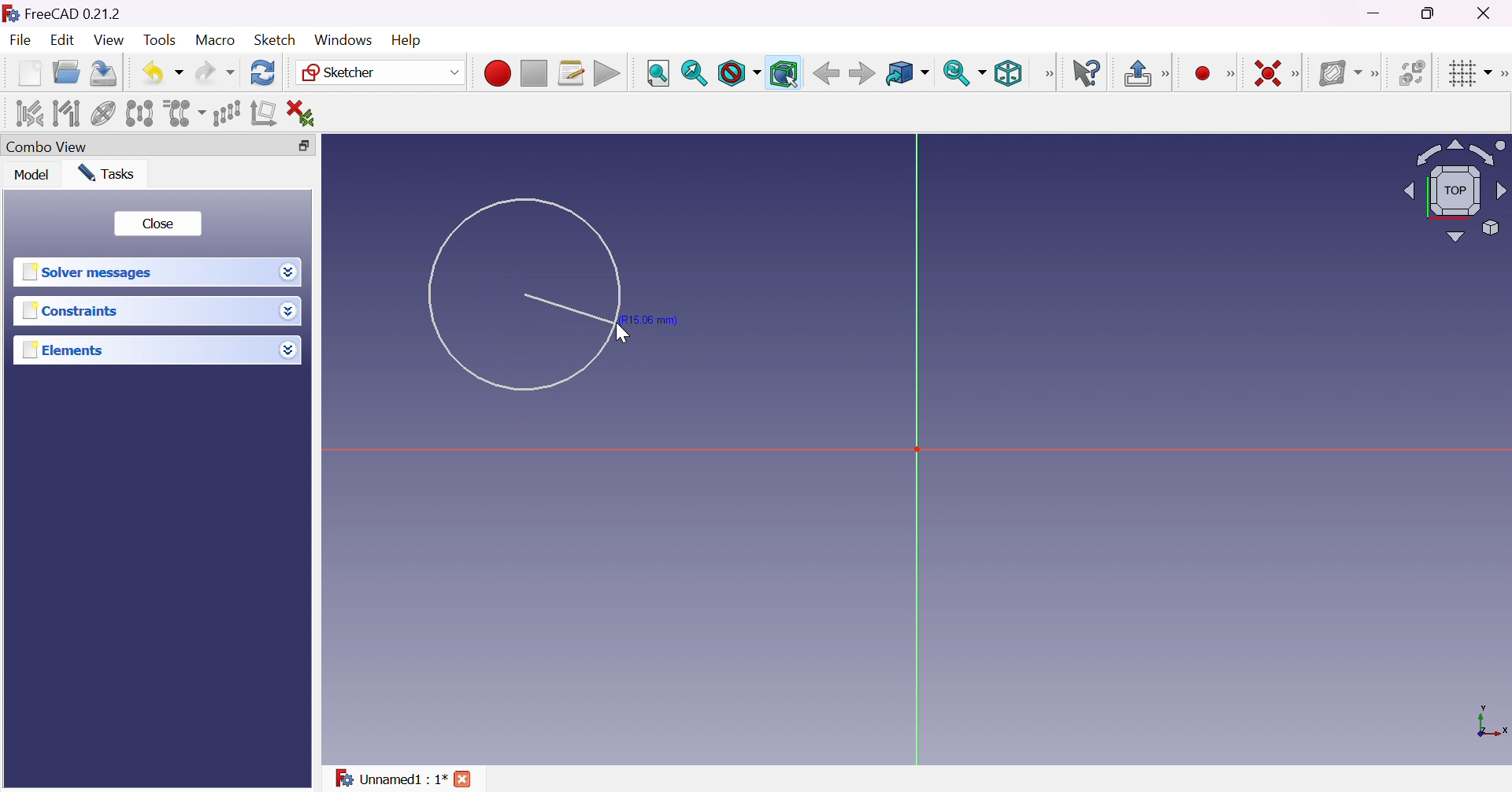 The width and height of the screenshot is (1512, 792). I want to click on Go to linked object, so click(906, 74).